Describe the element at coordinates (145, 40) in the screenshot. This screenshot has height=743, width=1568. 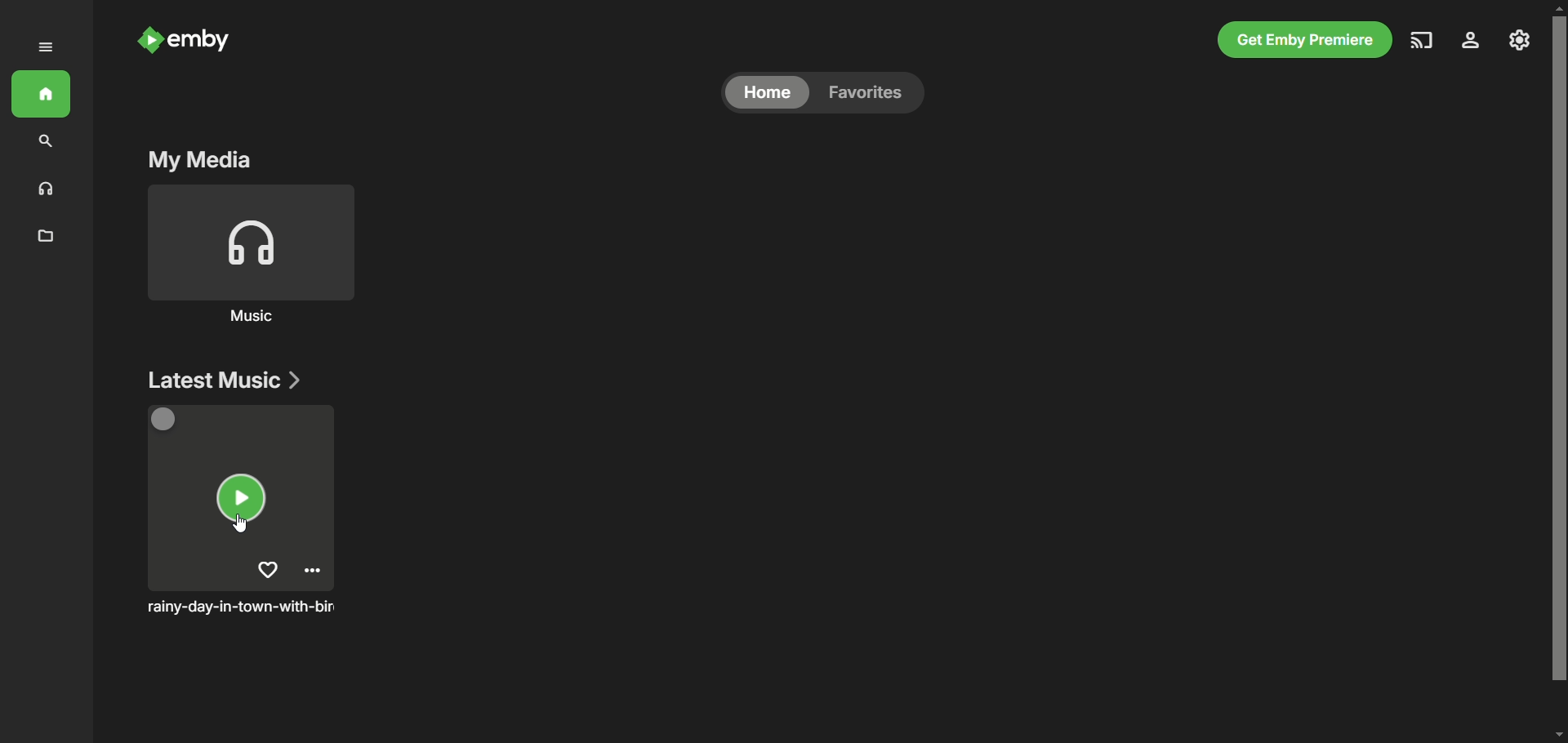
I see `logo` at that location.